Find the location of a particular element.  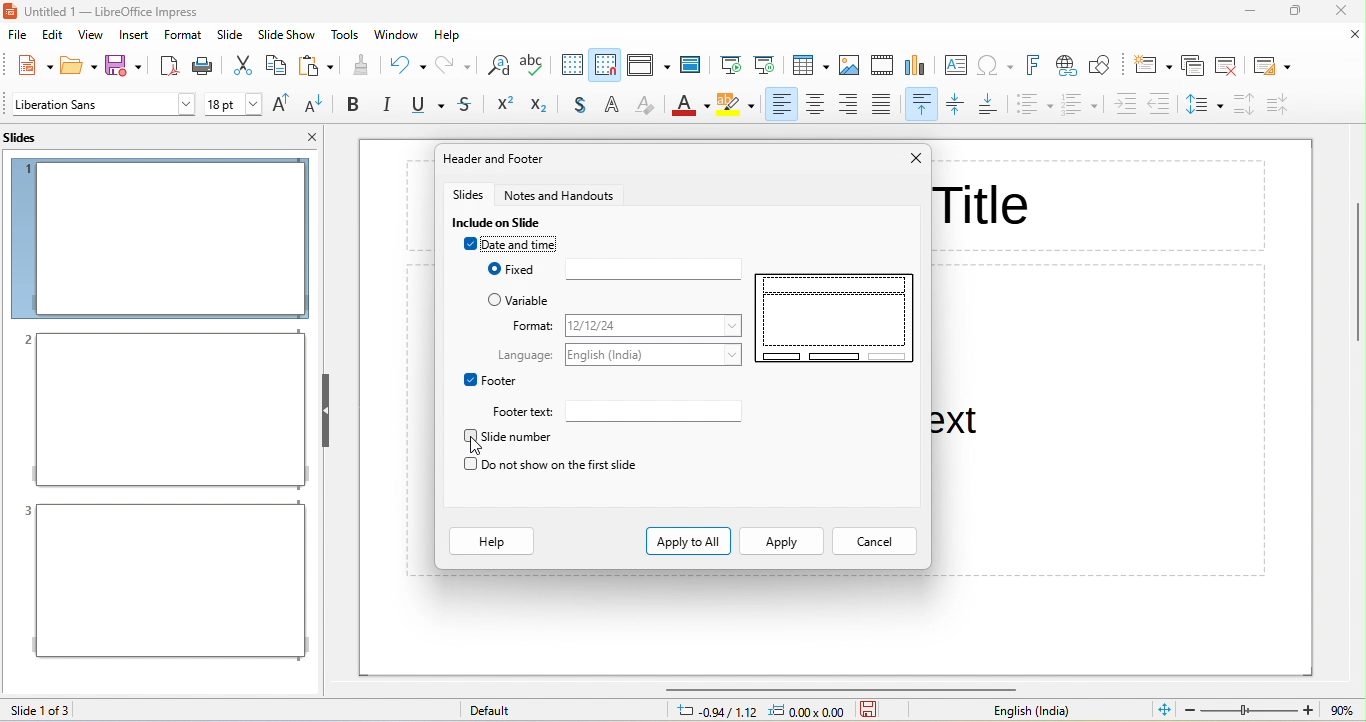

Text is located at coordinates (957, 424).